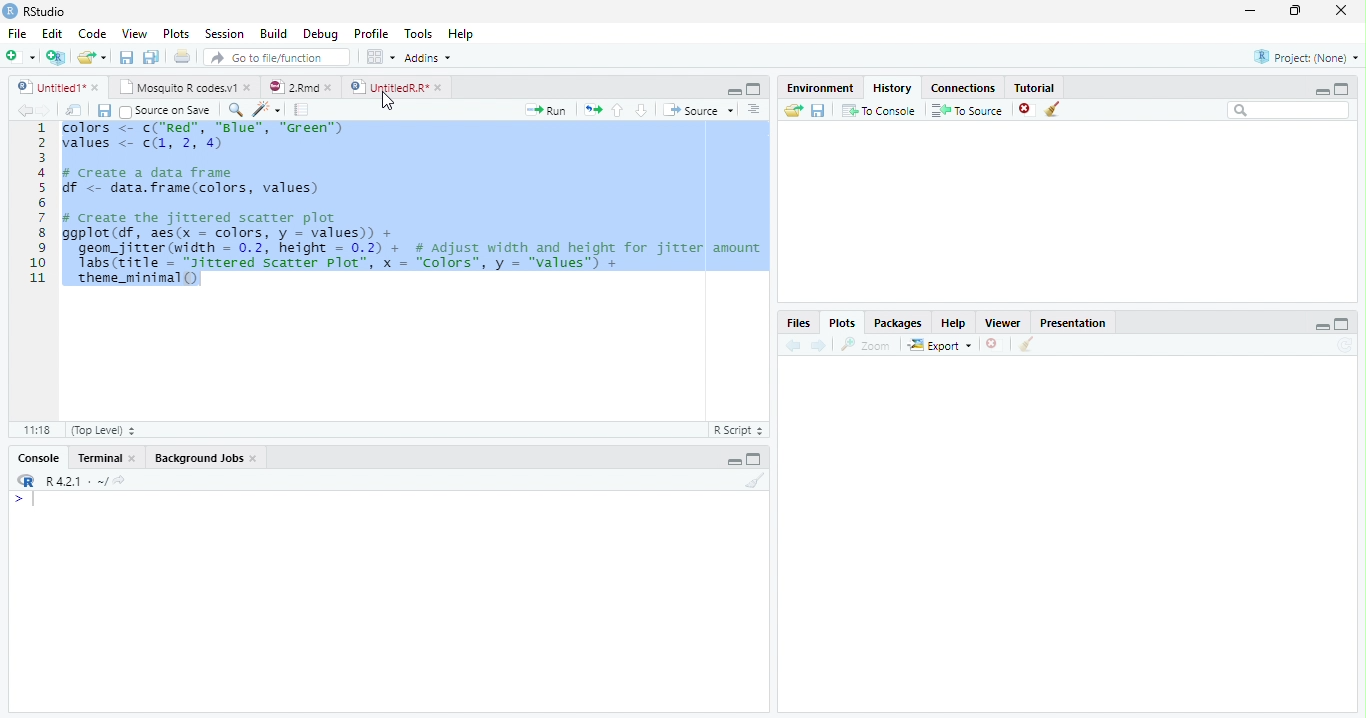 Image resolution: width=1366 pixels, height=718 pixels. Describe the element at coordinates (1290, 110) in the screenshot. I see `Search bar` at that location.